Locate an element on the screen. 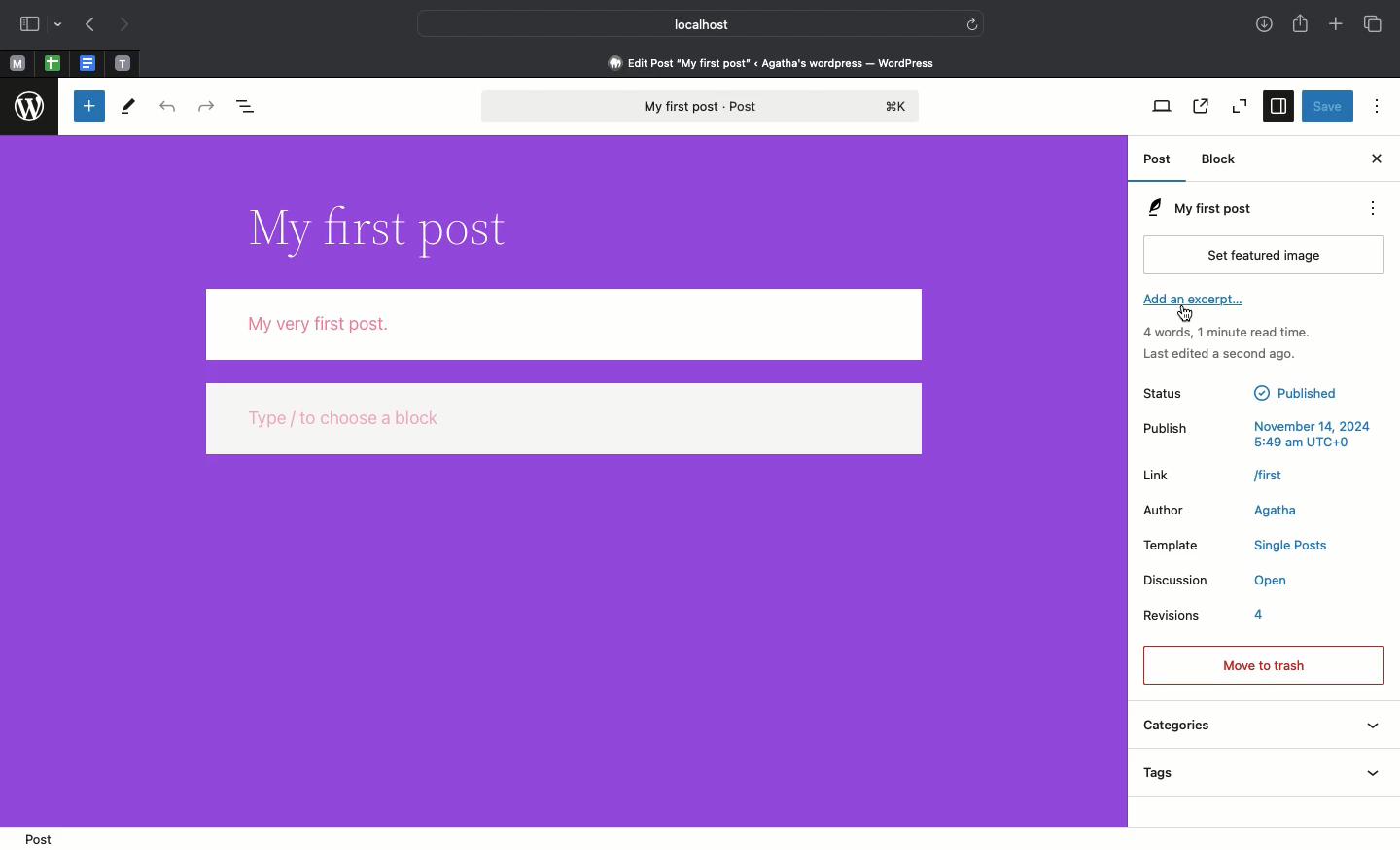 This screenshot has width=1400, height=850. Tools is located at coordinates (129, 106).